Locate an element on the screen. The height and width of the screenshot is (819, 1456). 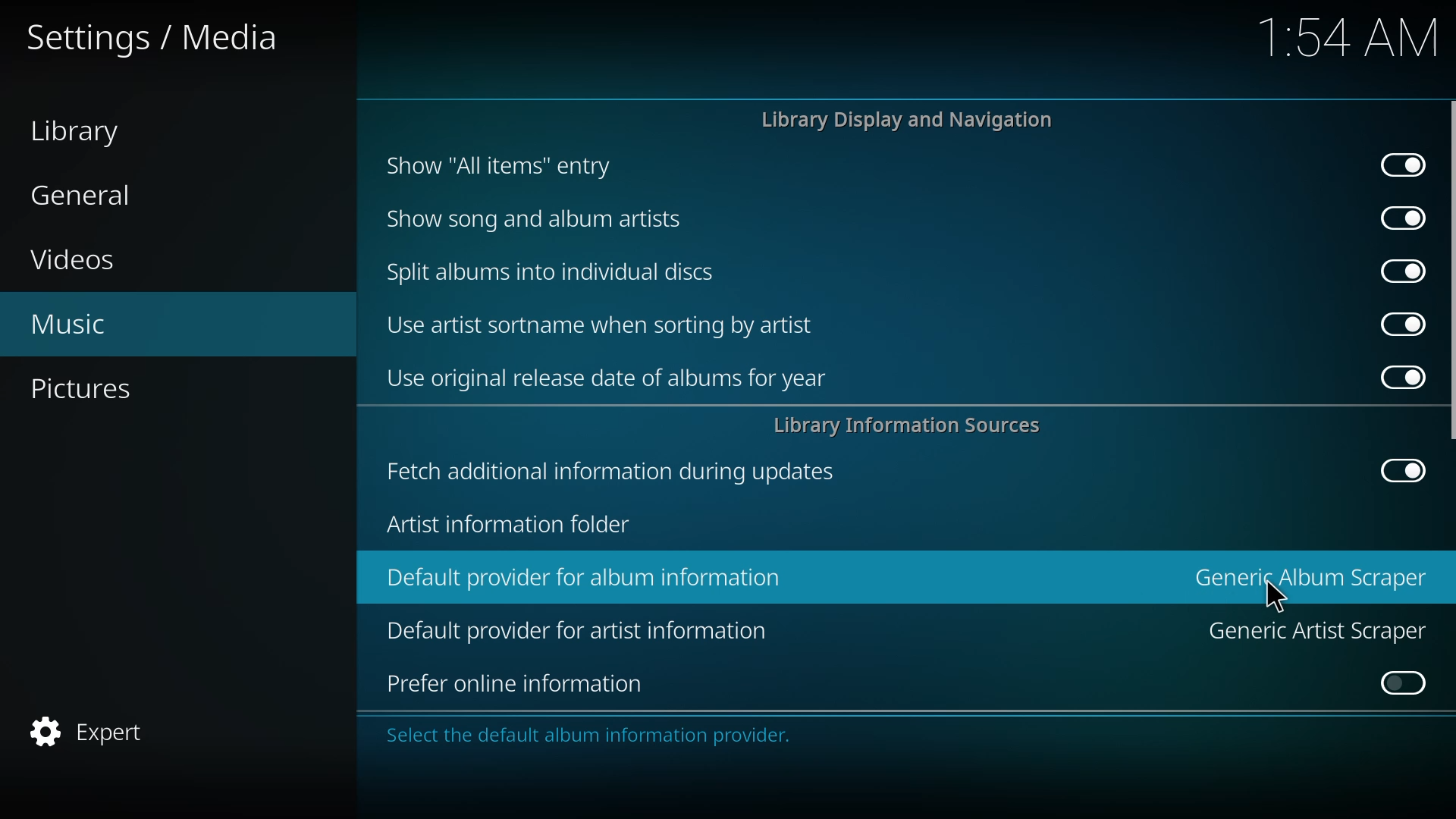
time is located at coordinates (1348, 36).